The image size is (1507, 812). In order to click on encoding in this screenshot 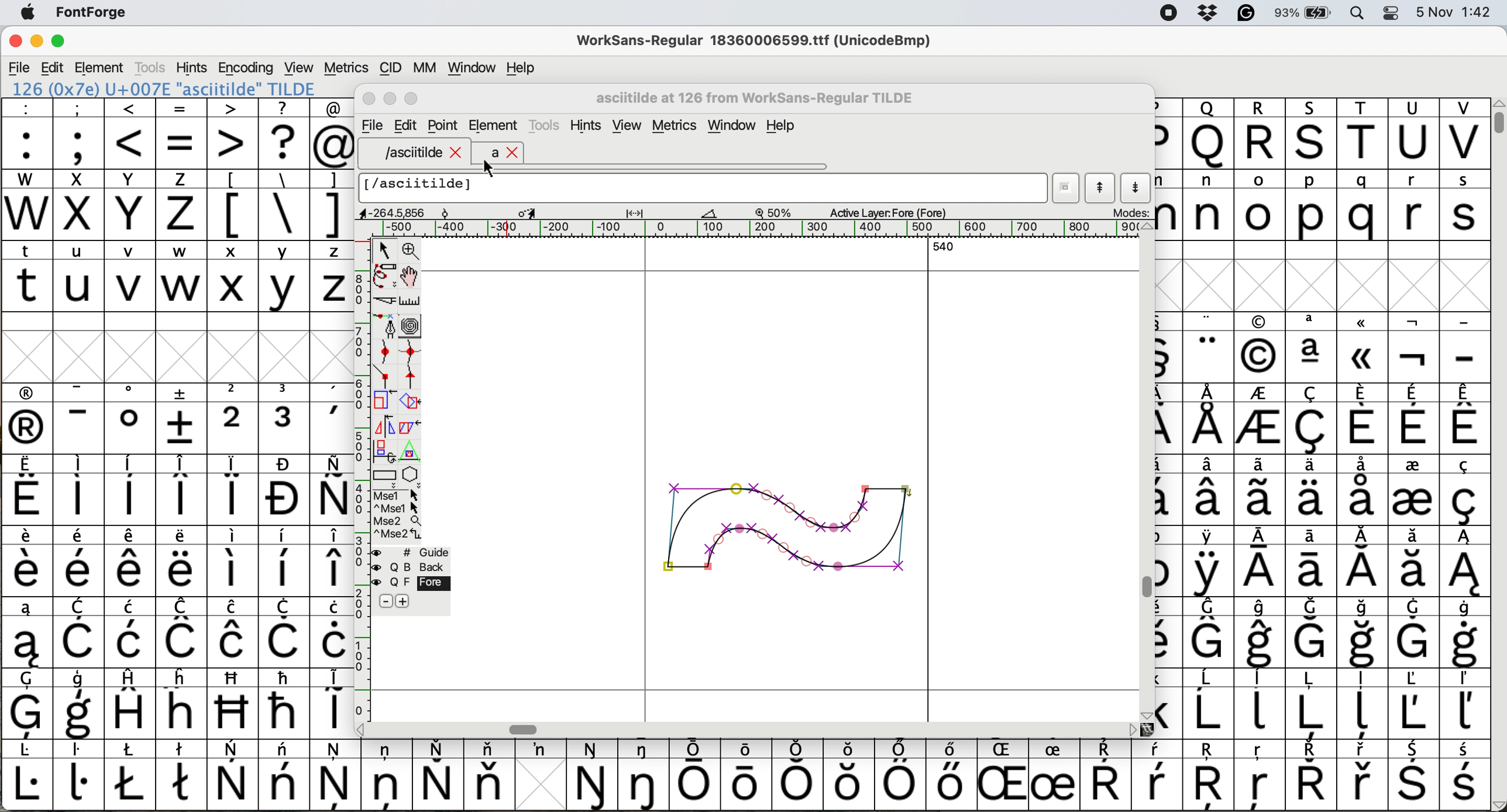, I will do `click(247, 68)`.